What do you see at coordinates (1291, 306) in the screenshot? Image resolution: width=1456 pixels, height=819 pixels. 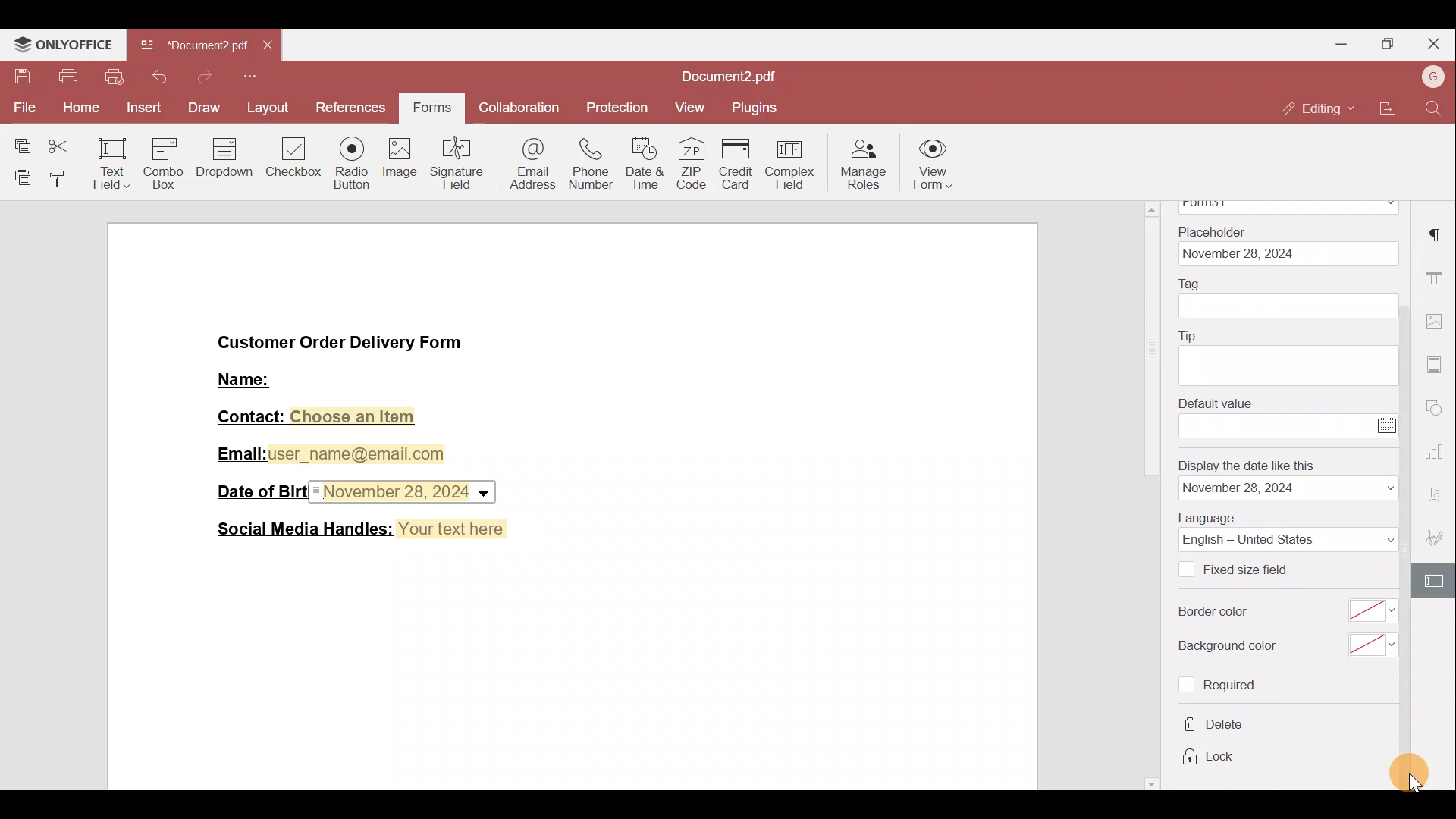 I see `tag` at bounding box center [1291, 306].